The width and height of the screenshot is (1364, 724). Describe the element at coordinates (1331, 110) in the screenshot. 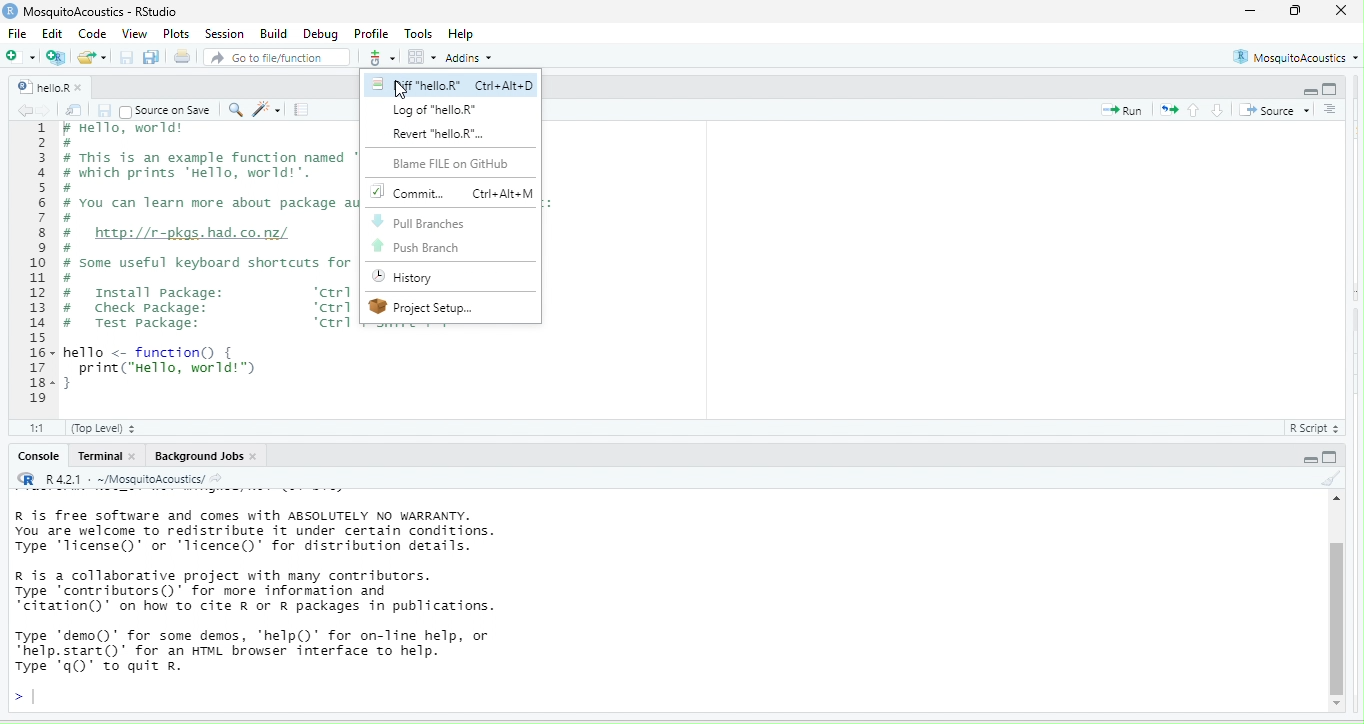

I see `show document outline` at that location.